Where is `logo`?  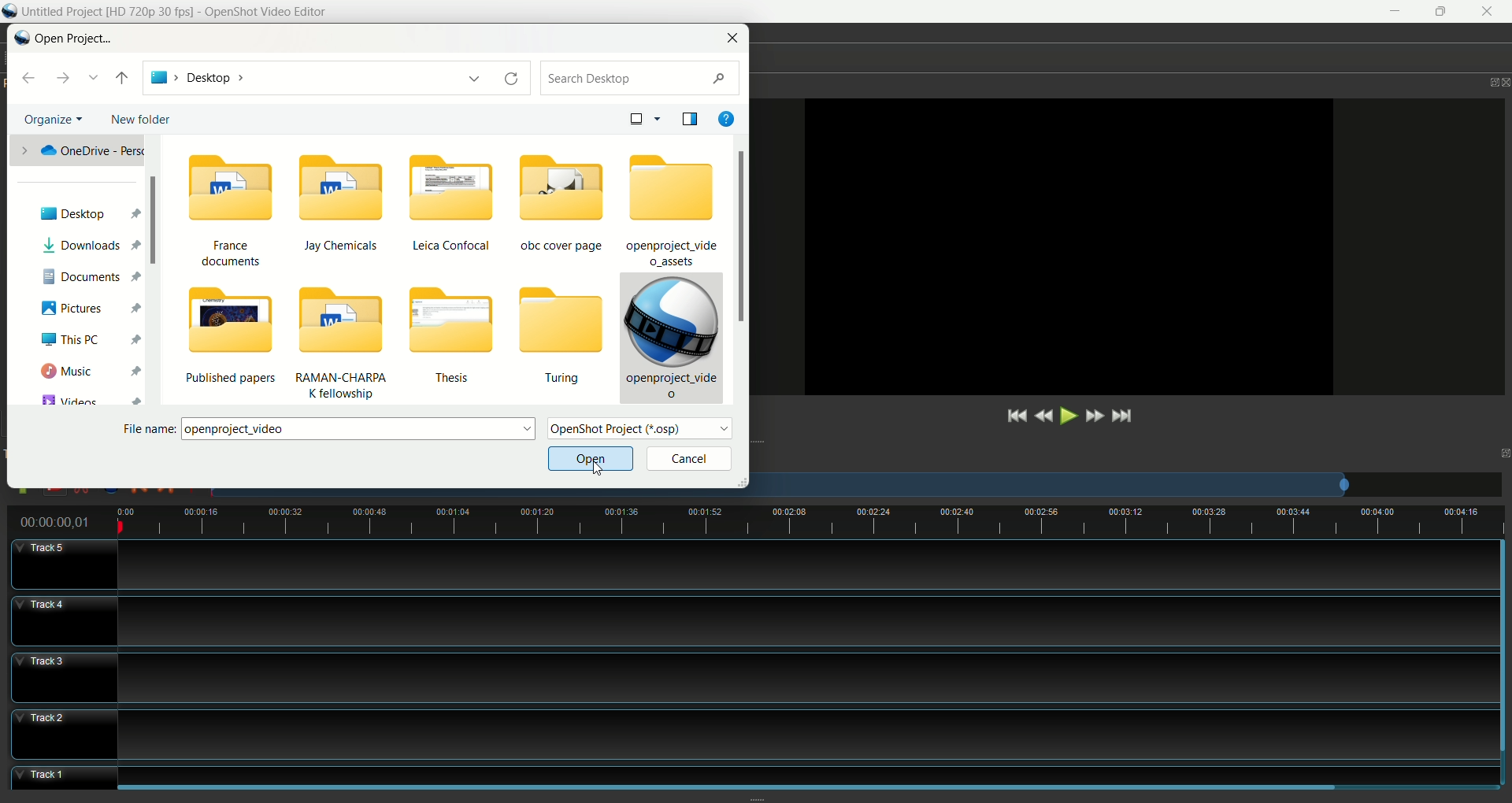 logo is located at coordinates (22, 36).